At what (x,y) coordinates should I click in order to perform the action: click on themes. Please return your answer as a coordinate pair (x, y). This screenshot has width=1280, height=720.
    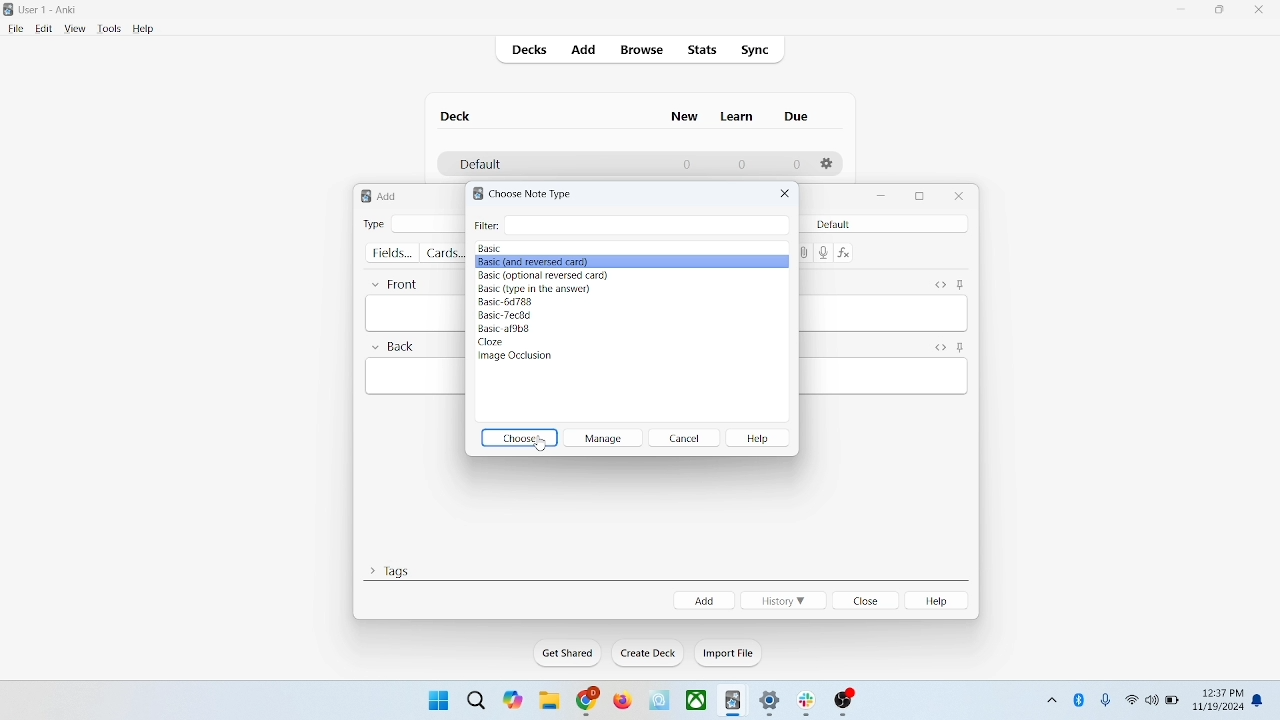
    Looking at the image, I should click on (513, 700).